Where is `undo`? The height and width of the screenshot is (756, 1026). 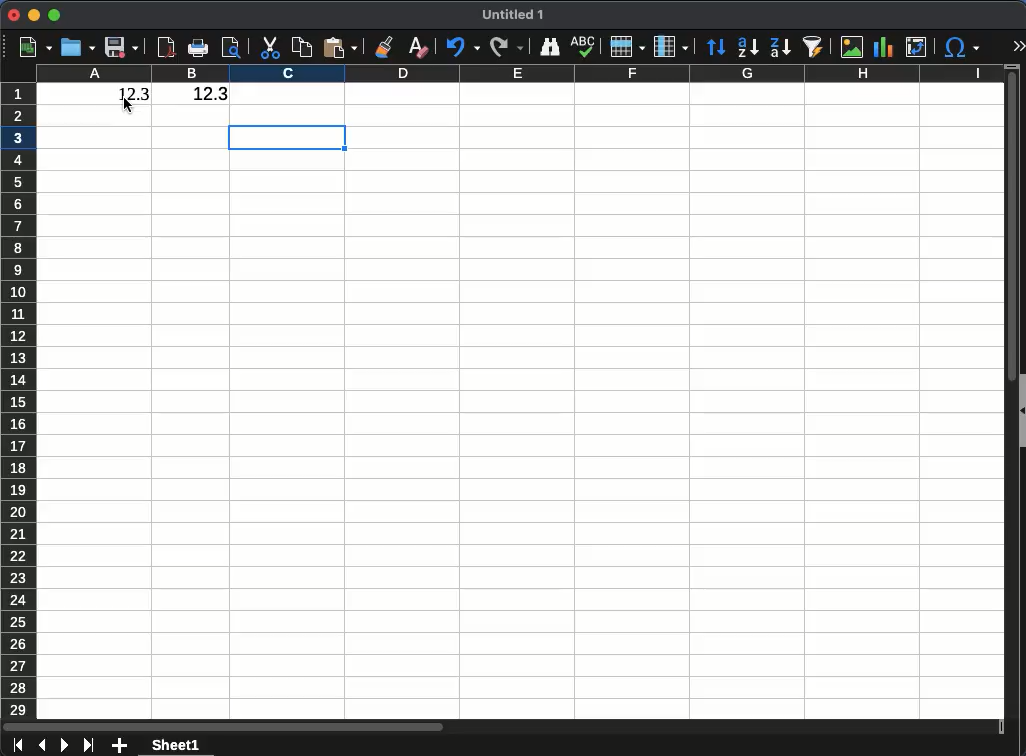 undo is located at coordinates (463, 49).